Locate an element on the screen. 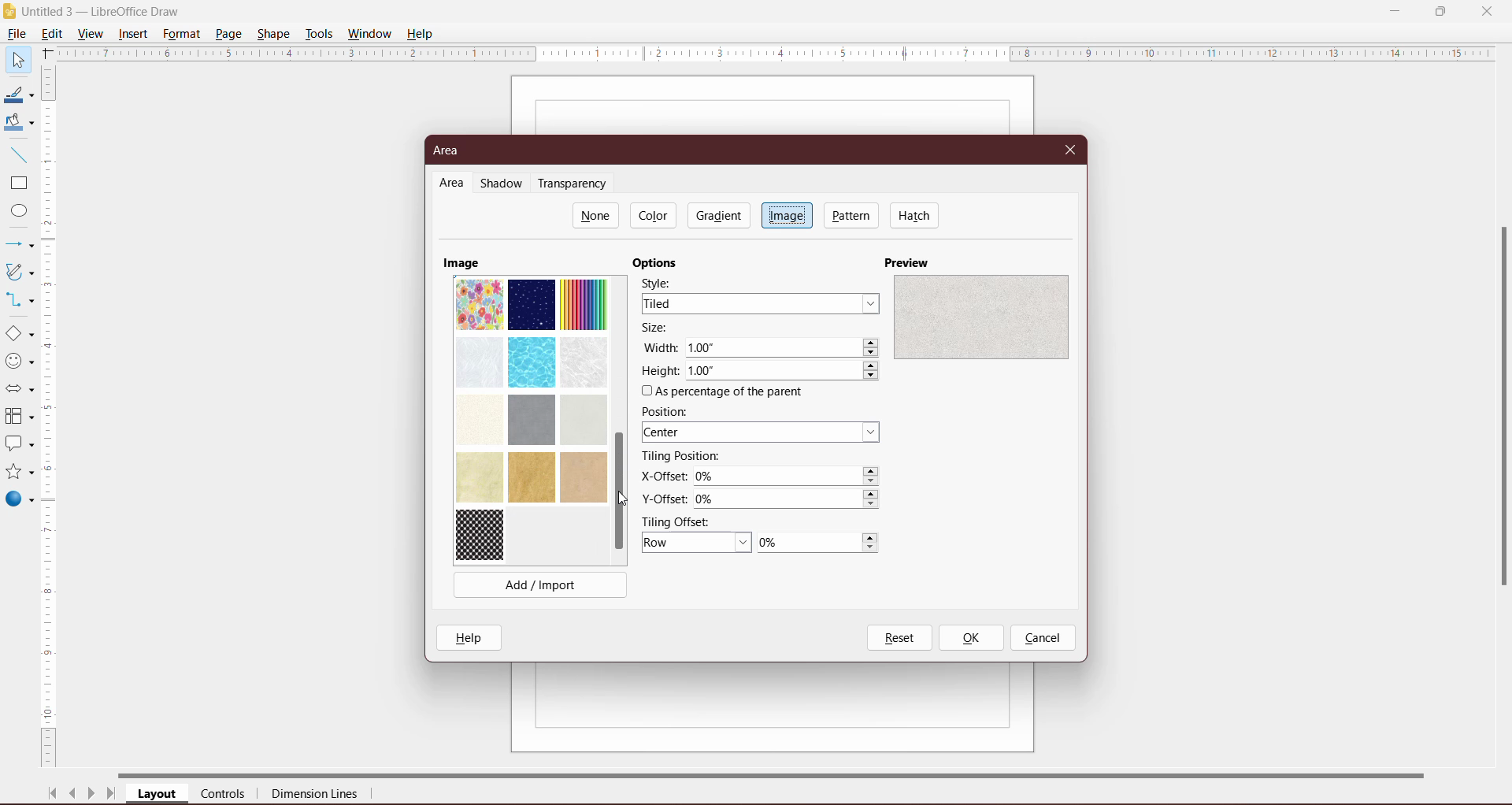  Shape is located at coordinates (275, 32).